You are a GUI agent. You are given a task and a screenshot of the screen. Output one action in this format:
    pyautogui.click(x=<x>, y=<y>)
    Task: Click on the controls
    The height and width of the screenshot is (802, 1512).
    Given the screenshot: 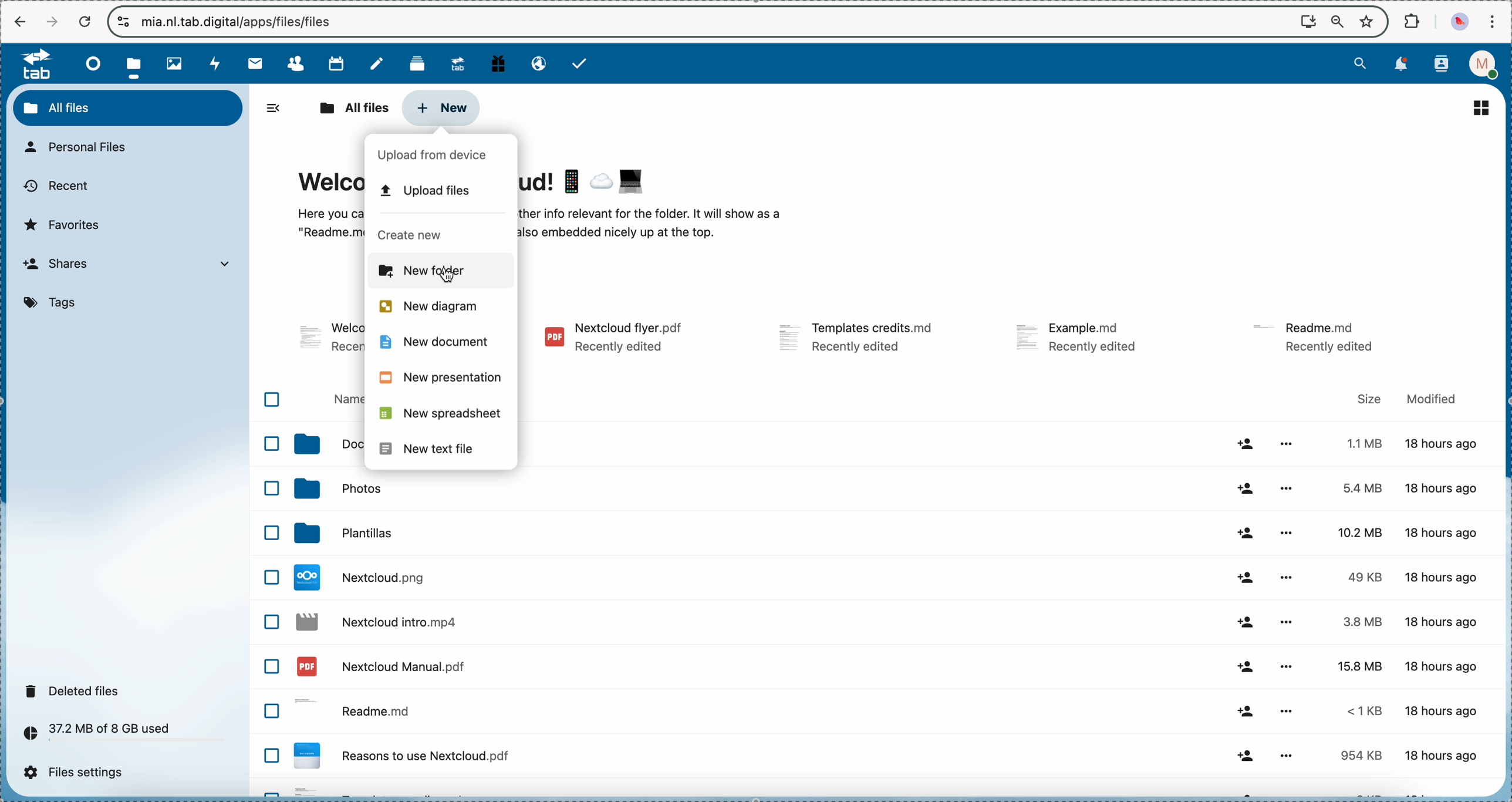 What is the action you would take?
    pyautogui.click(x=124, y=22)
    